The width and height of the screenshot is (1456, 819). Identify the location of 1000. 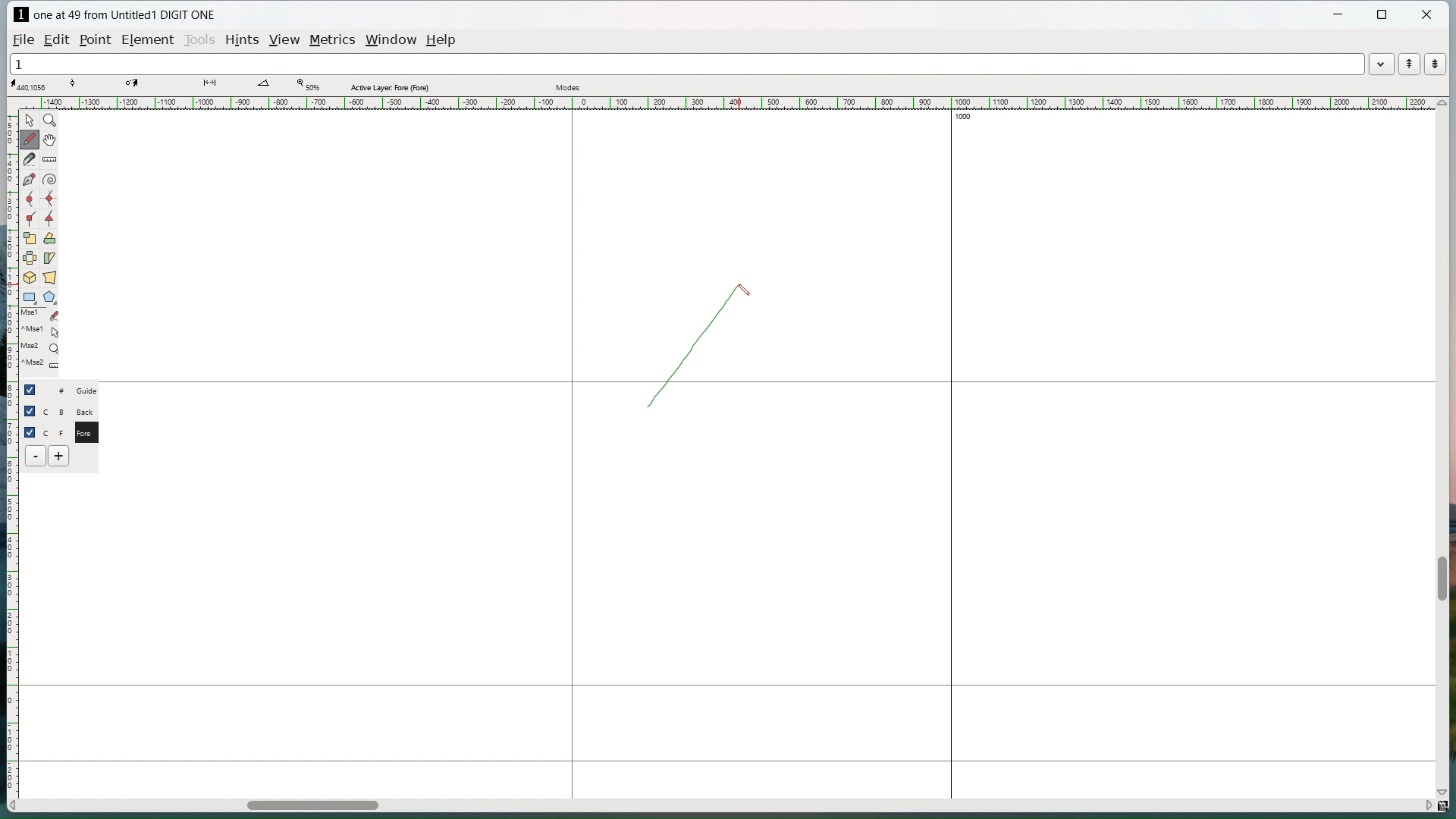
(970, 118).